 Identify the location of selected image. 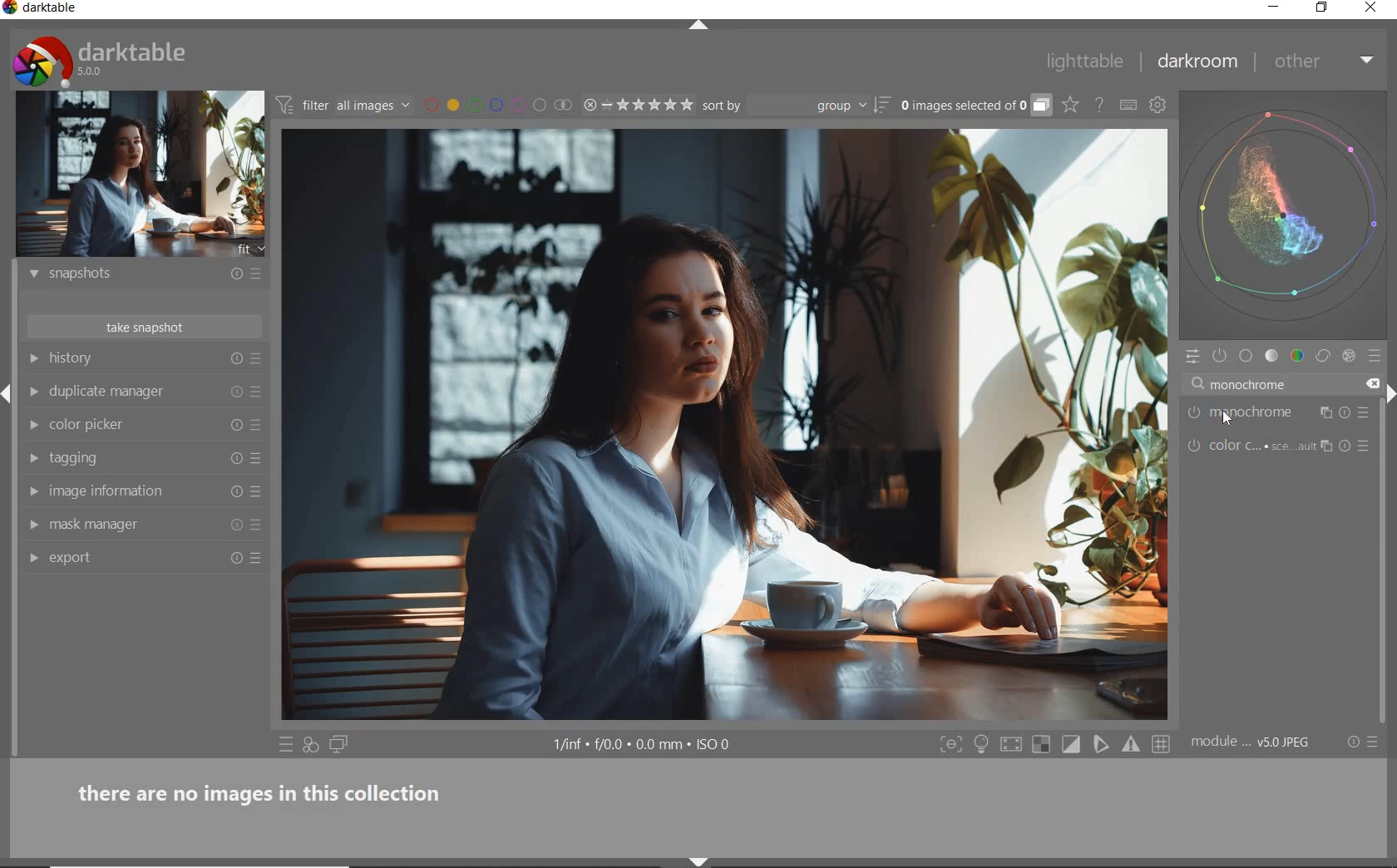
(723, 426).